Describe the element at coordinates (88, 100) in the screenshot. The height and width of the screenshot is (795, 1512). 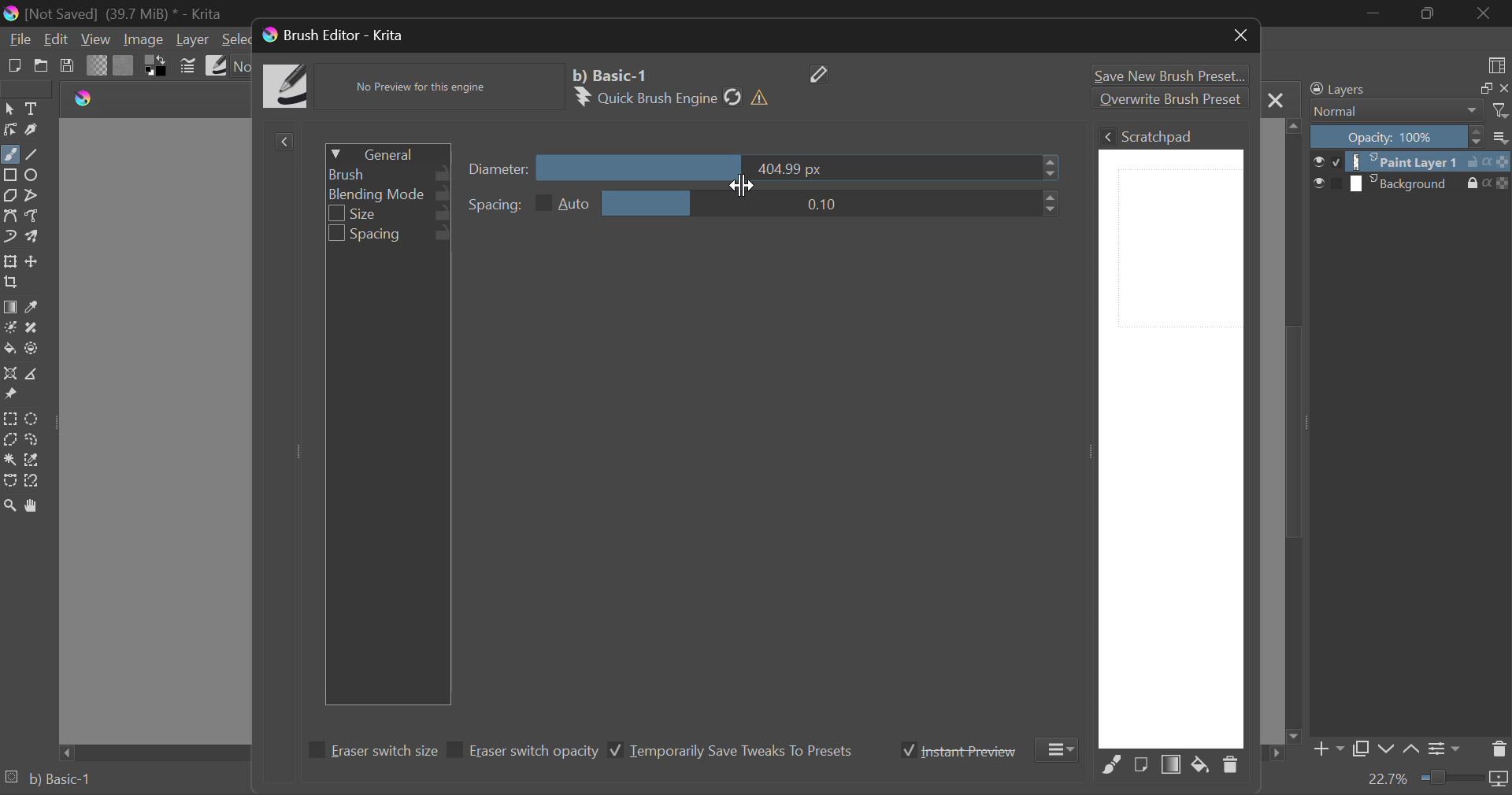
I see `logo` at that location.